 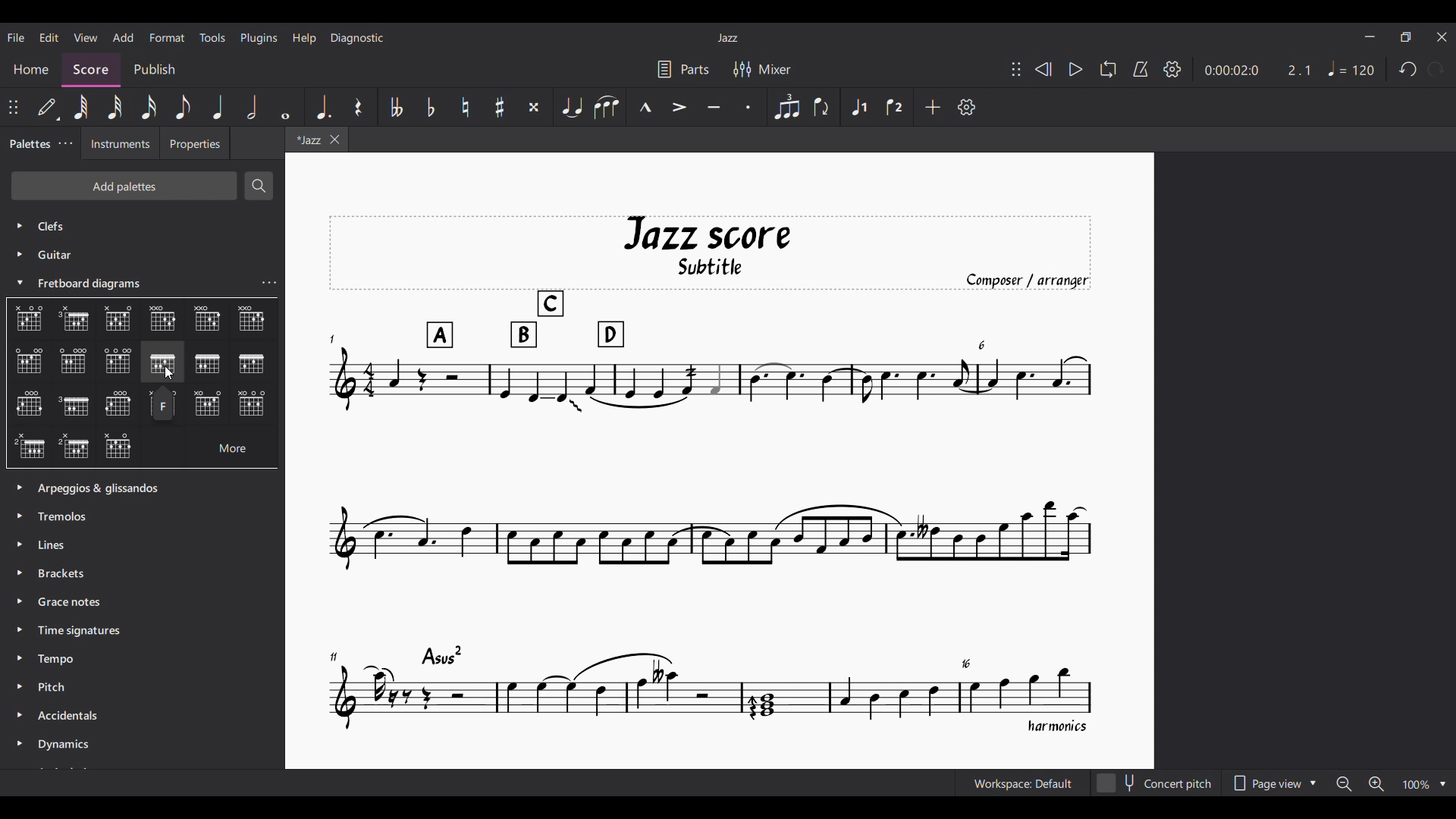 I want to click on Tuplet, so click(x=786, y=108).